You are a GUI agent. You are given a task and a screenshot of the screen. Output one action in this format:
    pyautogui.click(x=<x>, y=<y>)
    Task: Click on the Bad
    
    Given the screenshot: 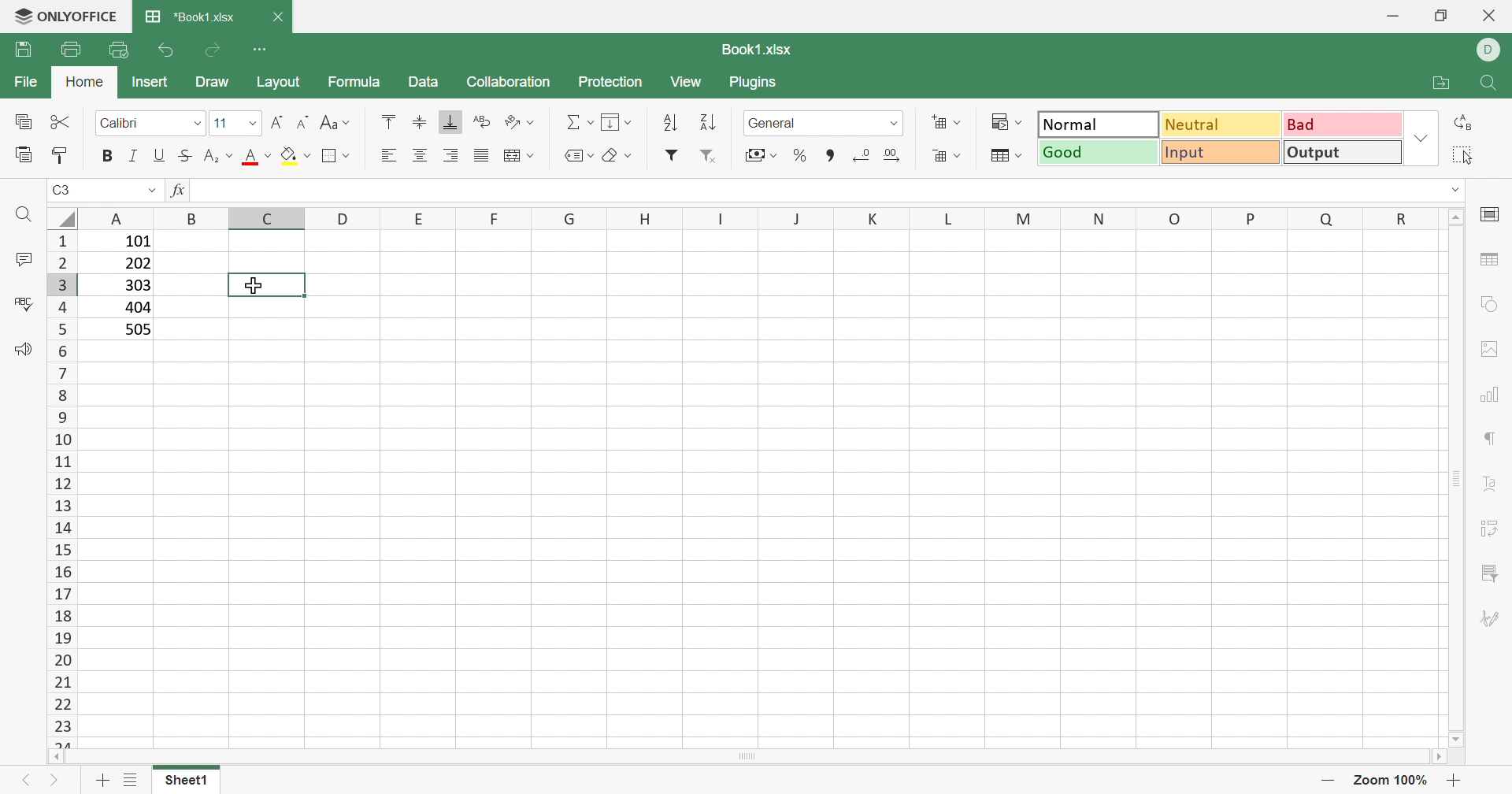 What is the action you would take?
    pyautogui.click(x=1343, y=124)
    